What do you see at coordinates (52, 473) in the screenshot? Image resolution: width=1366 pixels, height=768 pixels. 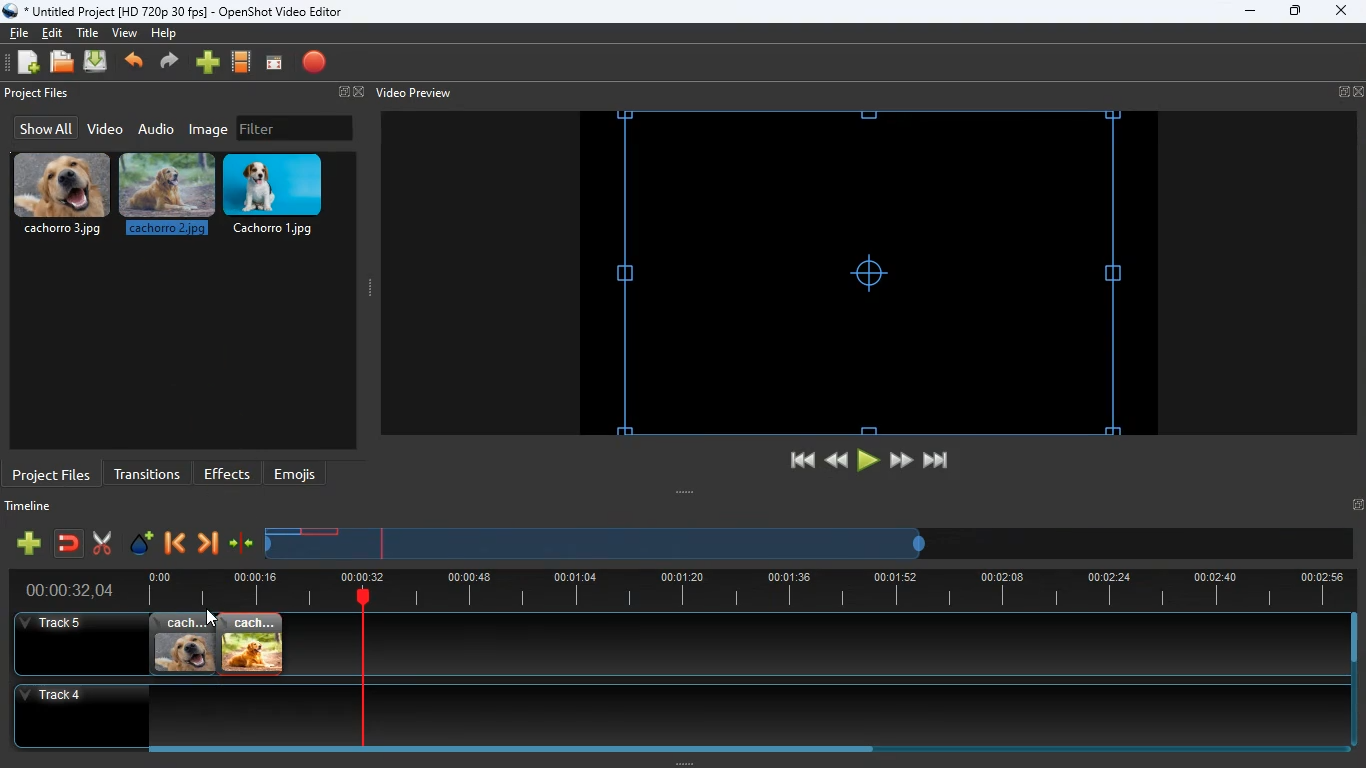 I see `project files` at bounding box center [52, 473].